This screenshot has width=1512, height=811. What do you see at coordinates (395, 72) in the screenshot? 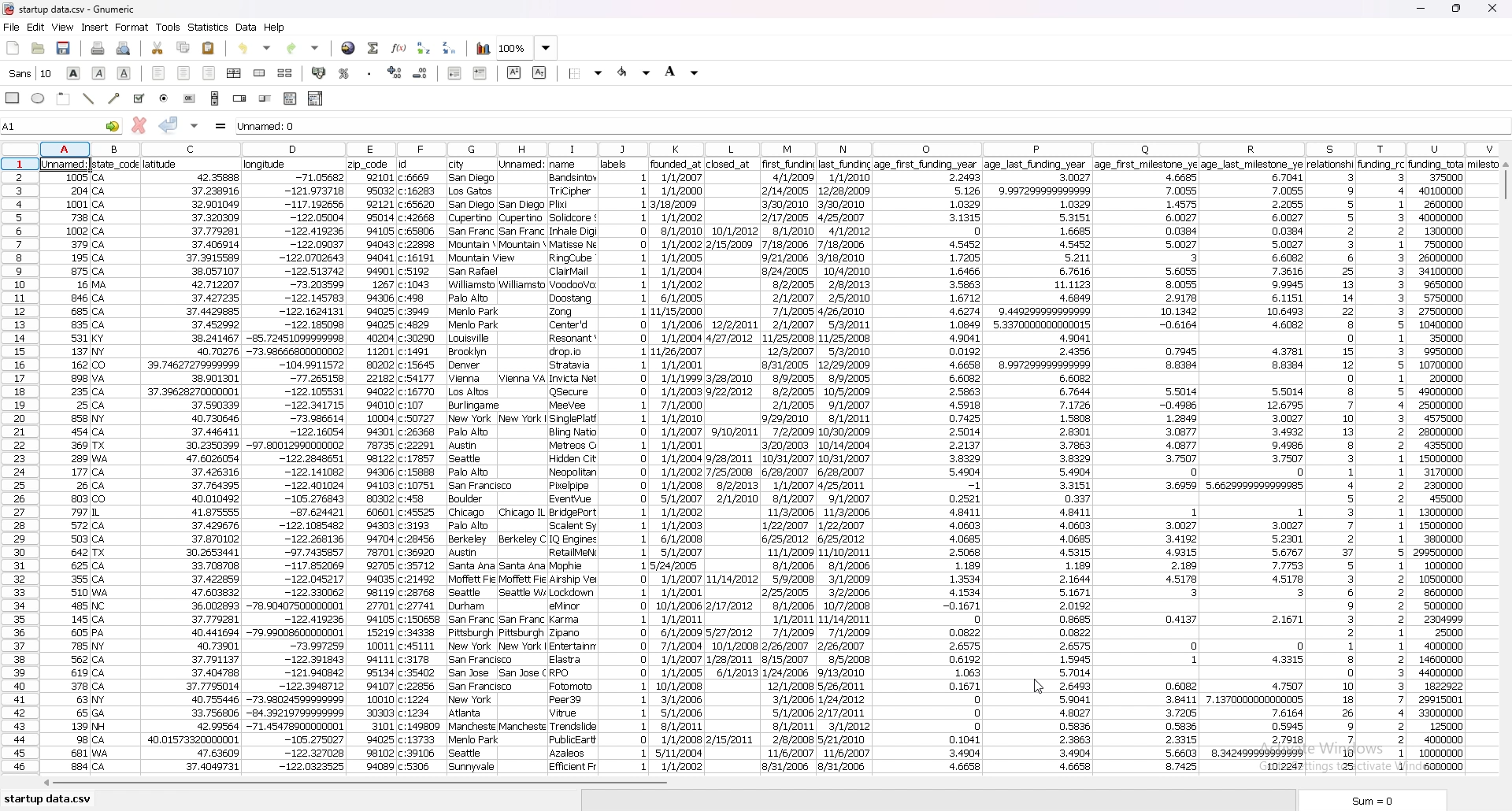
I see `increase decimals` at bounding box center [395, 72].